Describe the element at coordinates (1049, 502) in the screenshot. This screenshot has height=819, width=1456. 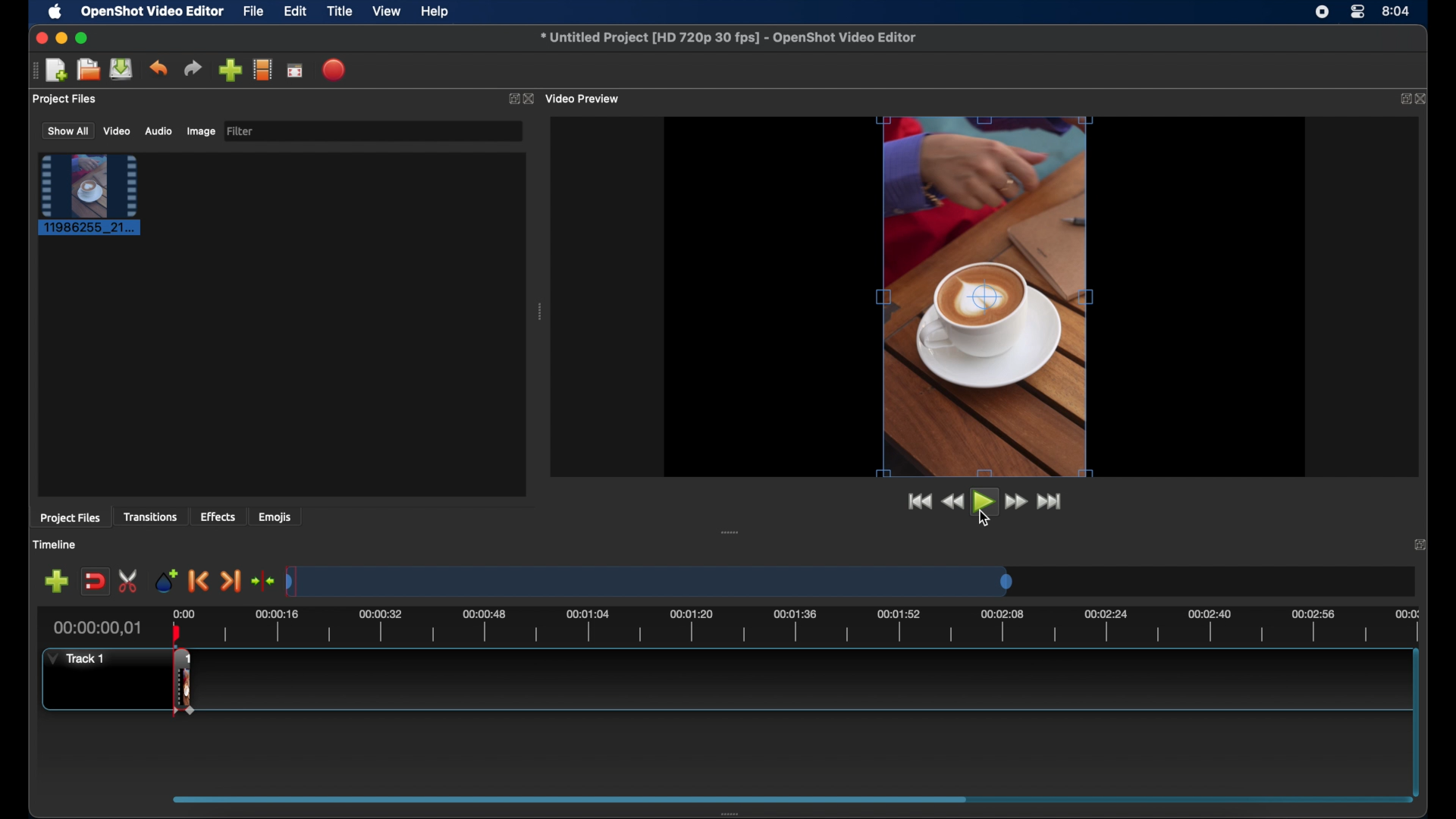
I see `jump to end` at that location.